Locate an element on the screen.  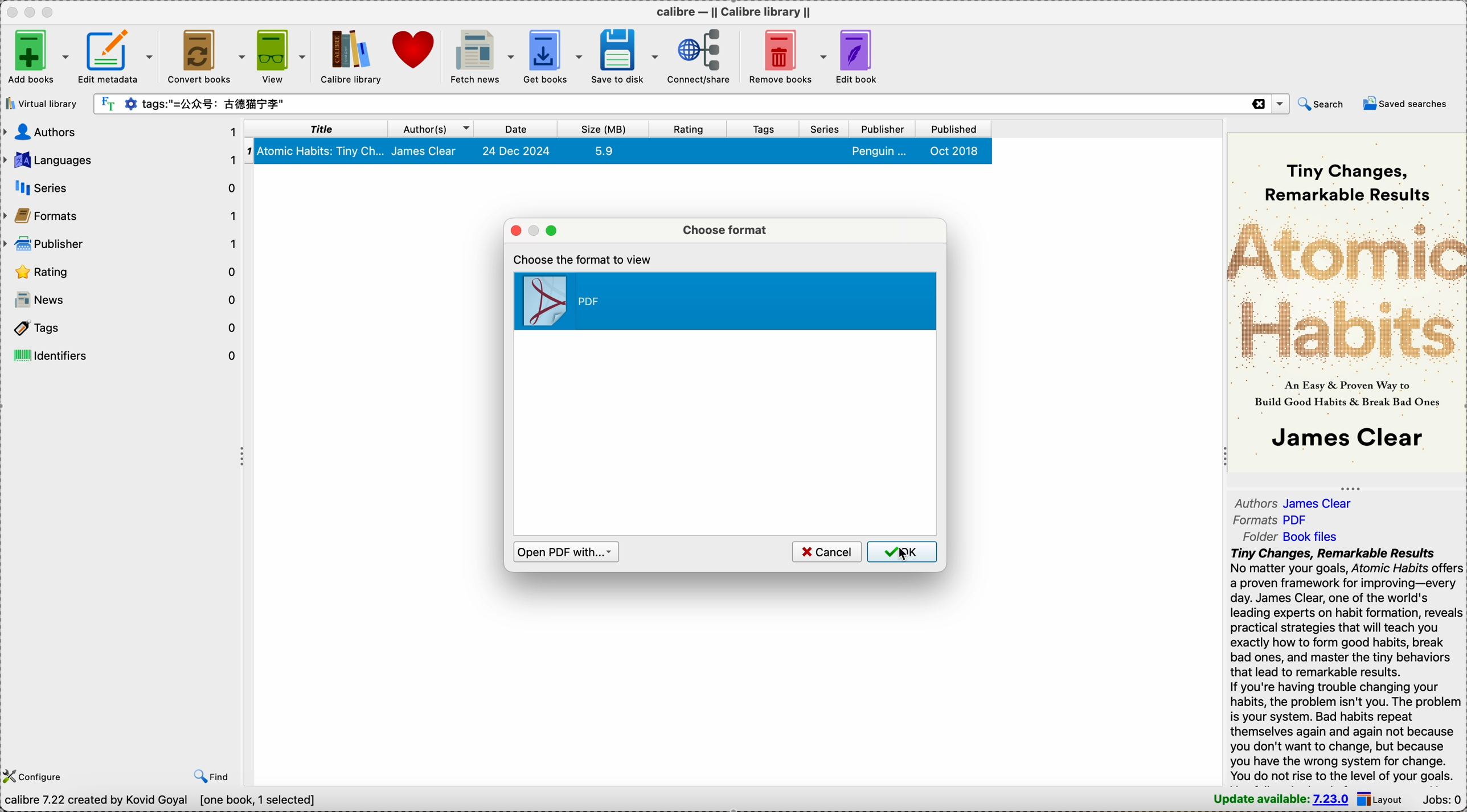
cursor is located at coordinates (906, 552).